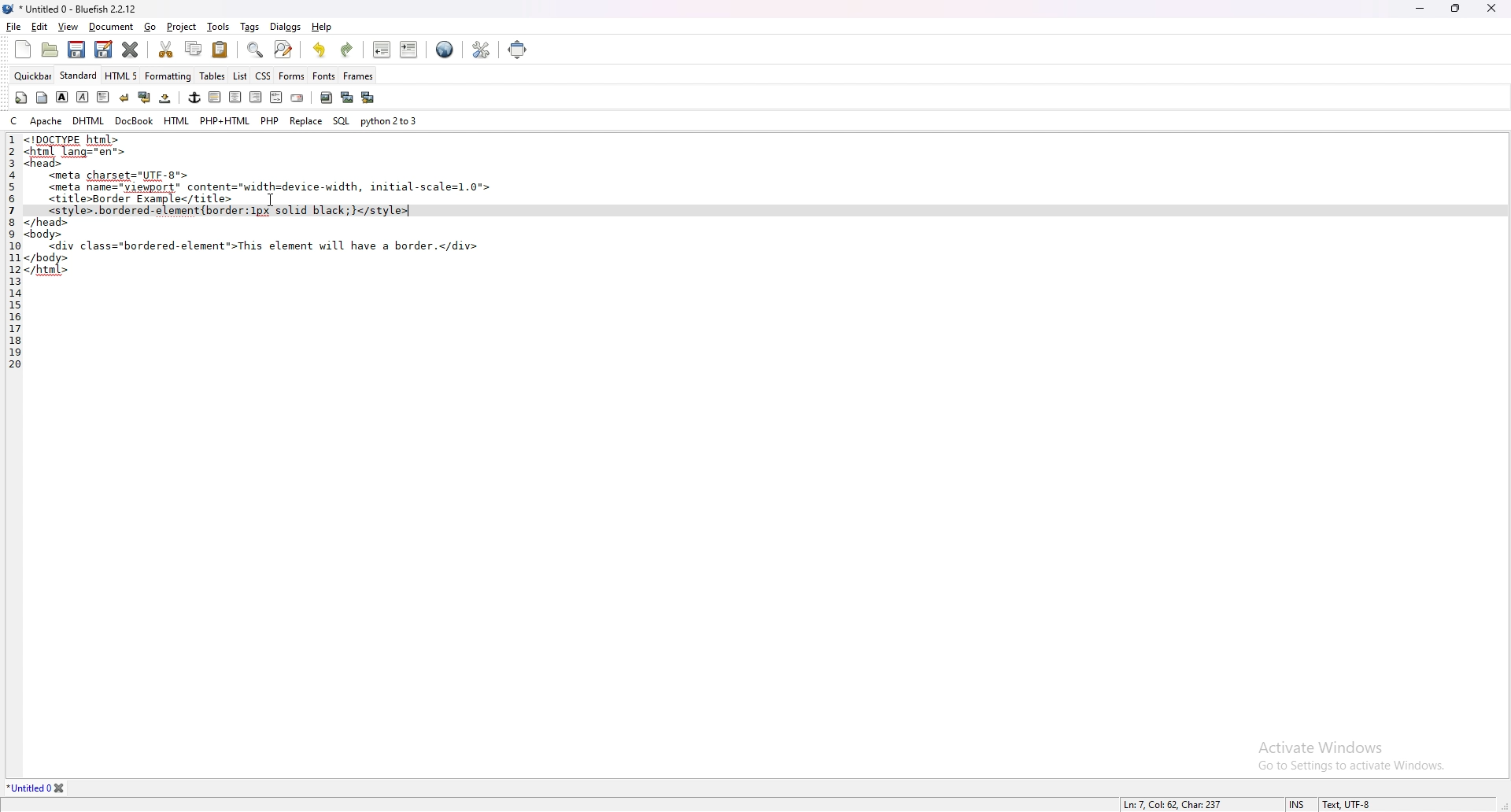  Describe the element at coordinates (124, 98) in the screenshot. I see `break` at that location.